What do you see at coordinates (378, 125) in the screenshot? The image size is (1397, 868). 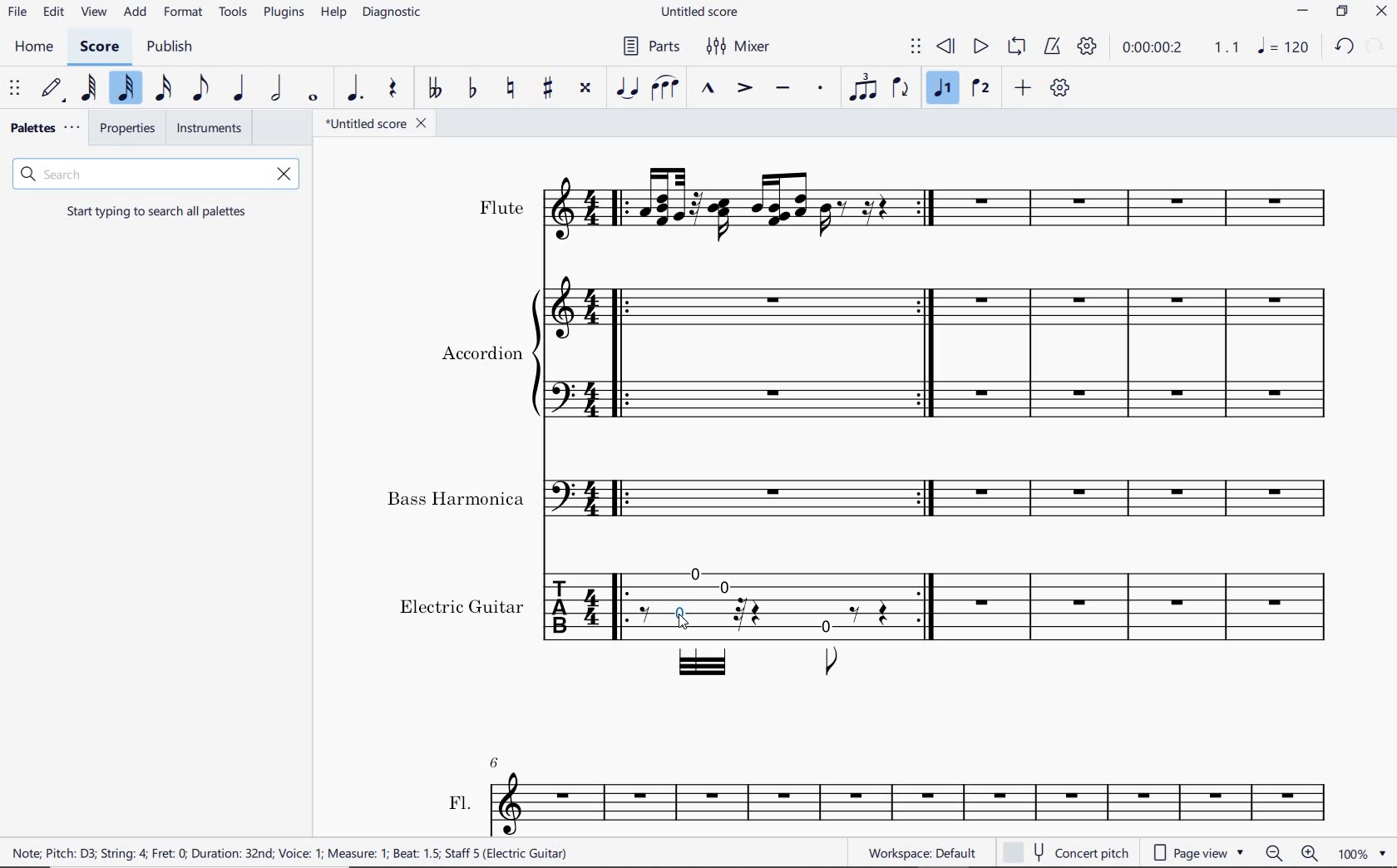 I see `file name` at bounding box center [378, 125].